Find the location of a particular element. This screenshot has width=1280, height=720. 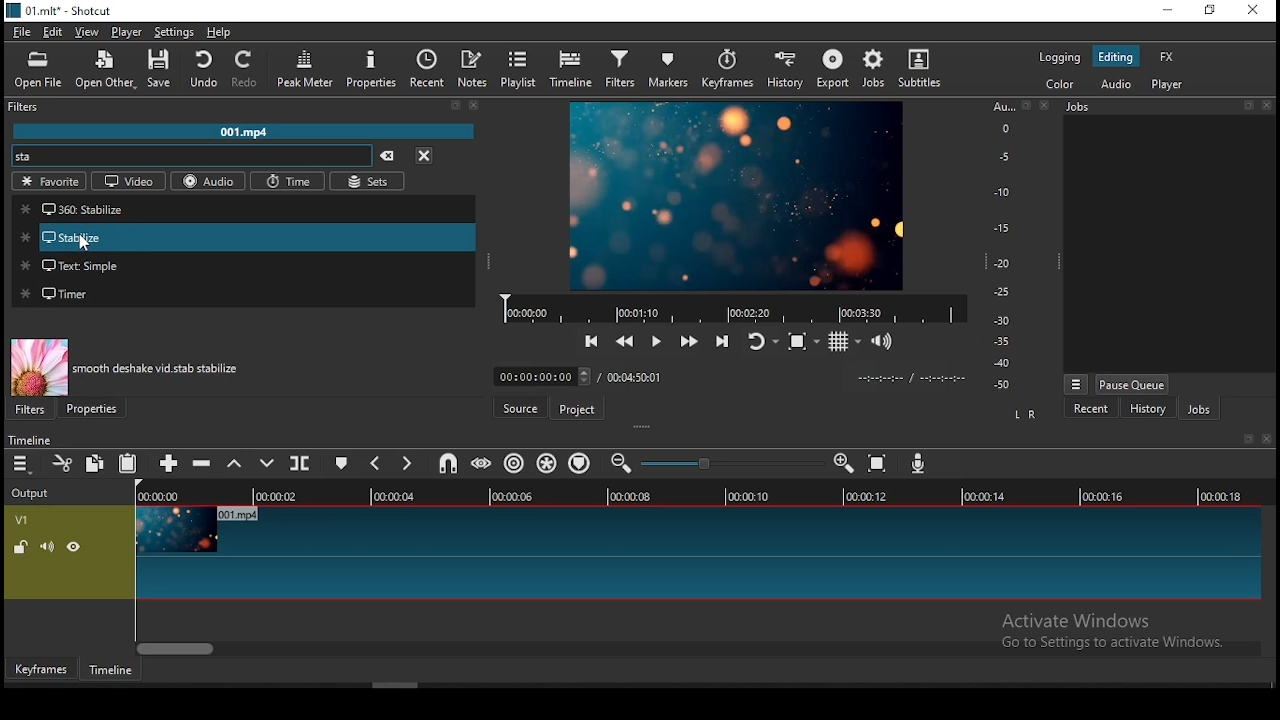

history is located at coordinates (787, 69).